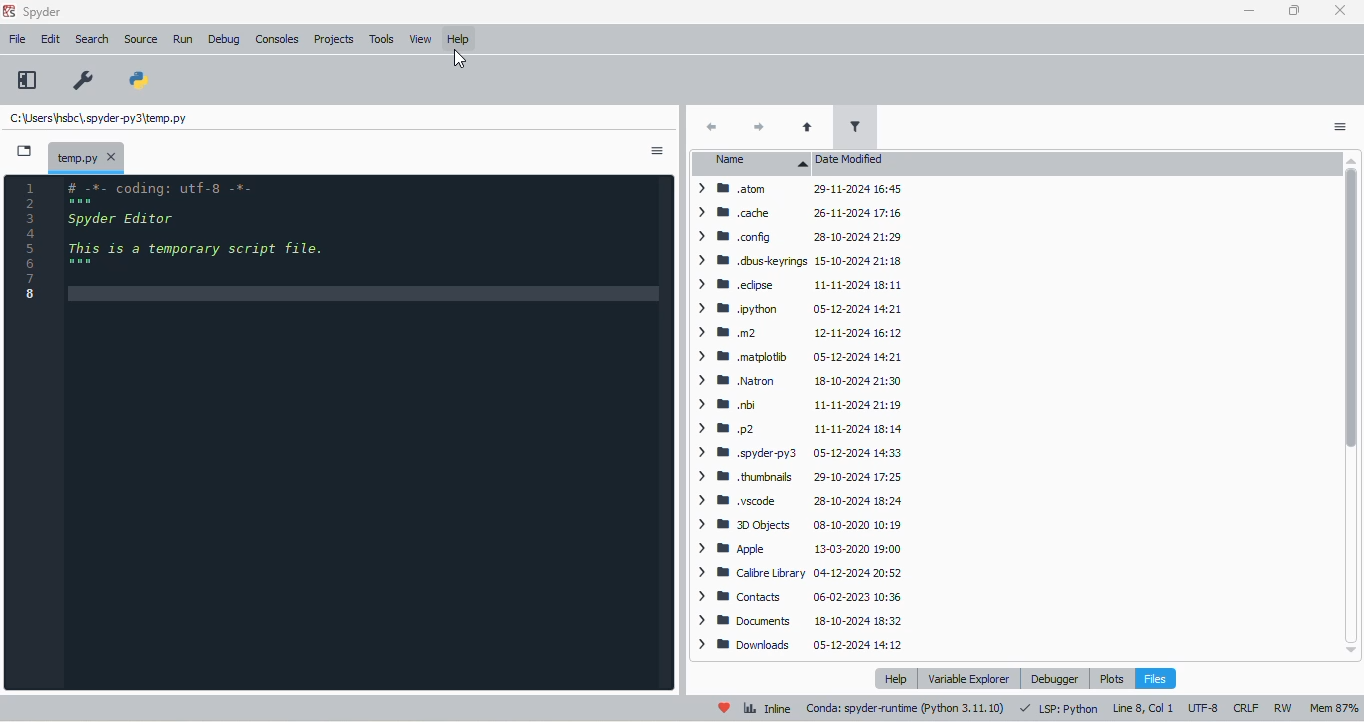  What do you see at coordinates (712, 127) in the screenshot?
I see `back` at bounding box center [712, 127].